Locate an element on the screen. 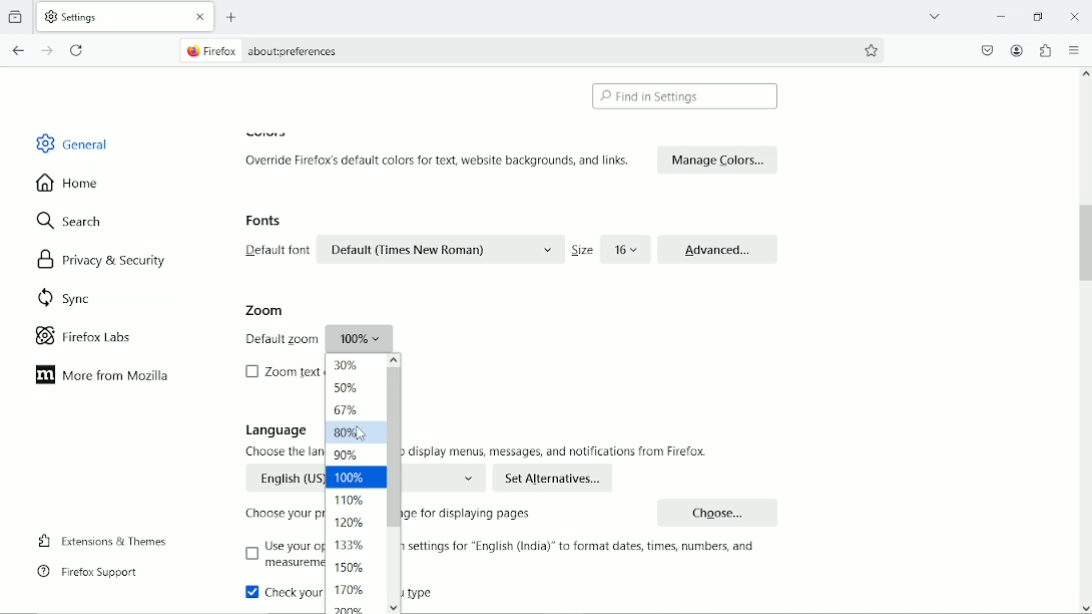  Language is located at coordinates (276, 430).